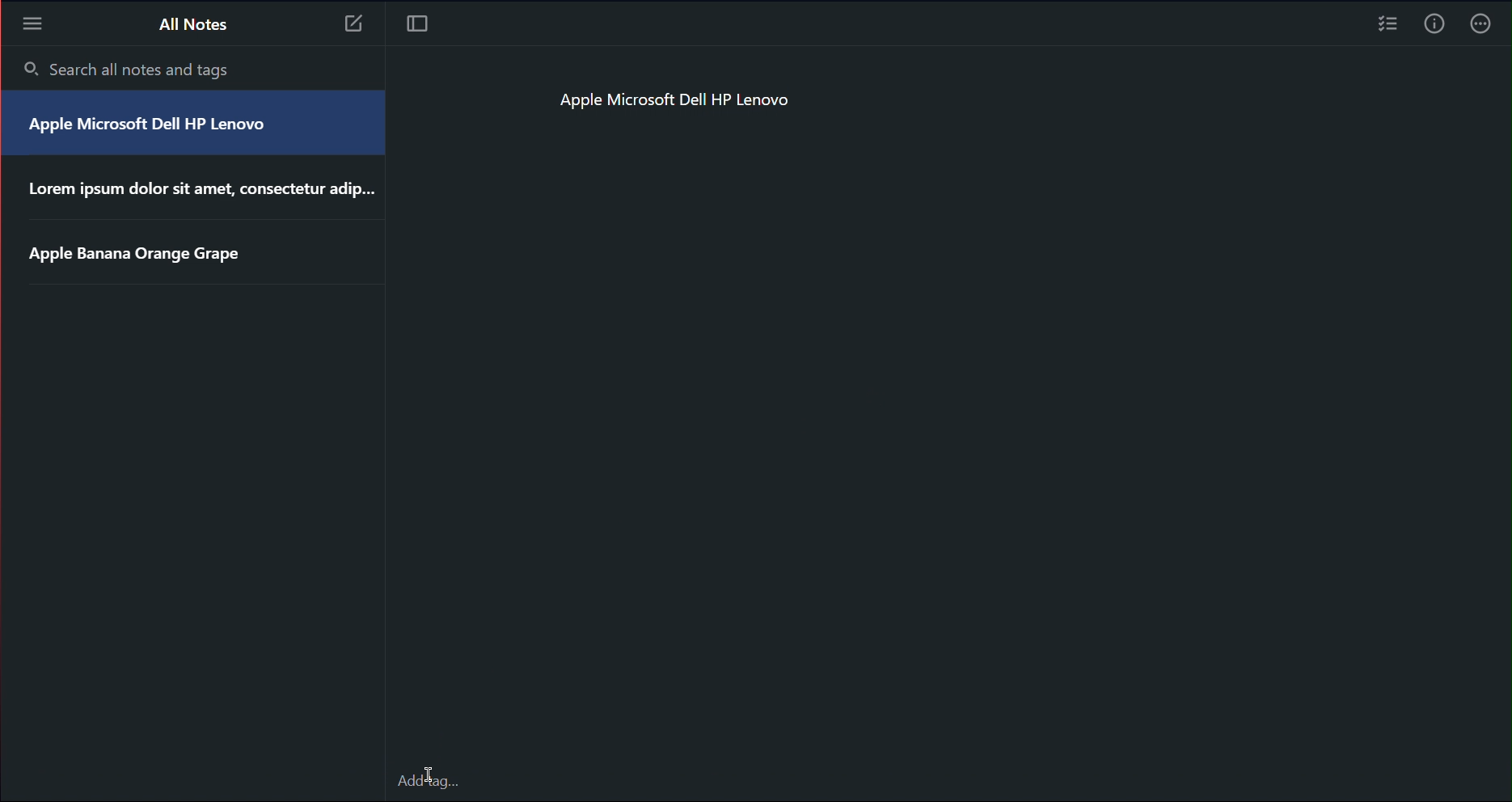 Image resolution: width=1512 pixels, height=802 pixels. I want to click on Note 3, so click(356, 26).